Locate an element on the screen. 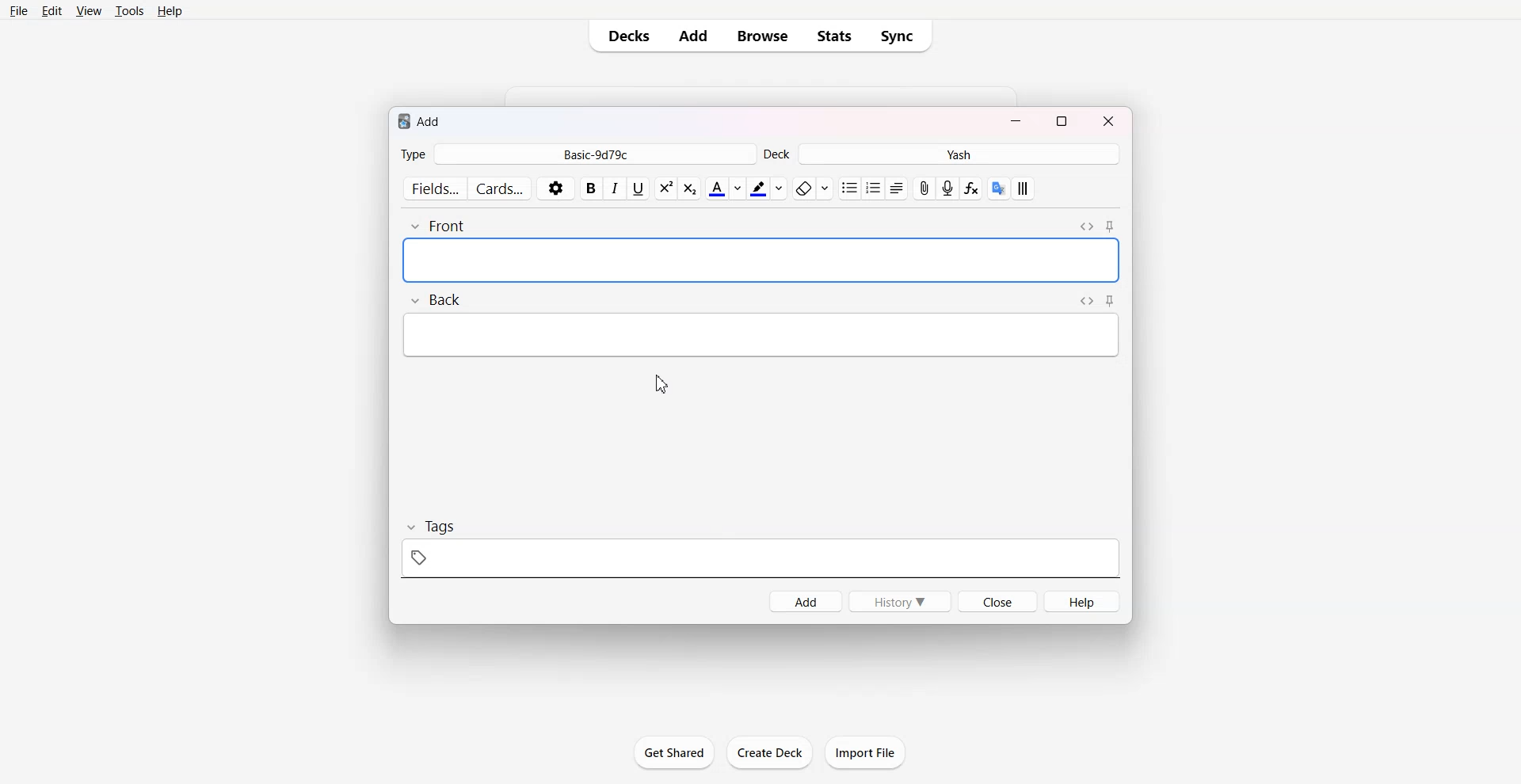  Add is located at coordinates (804, 602).